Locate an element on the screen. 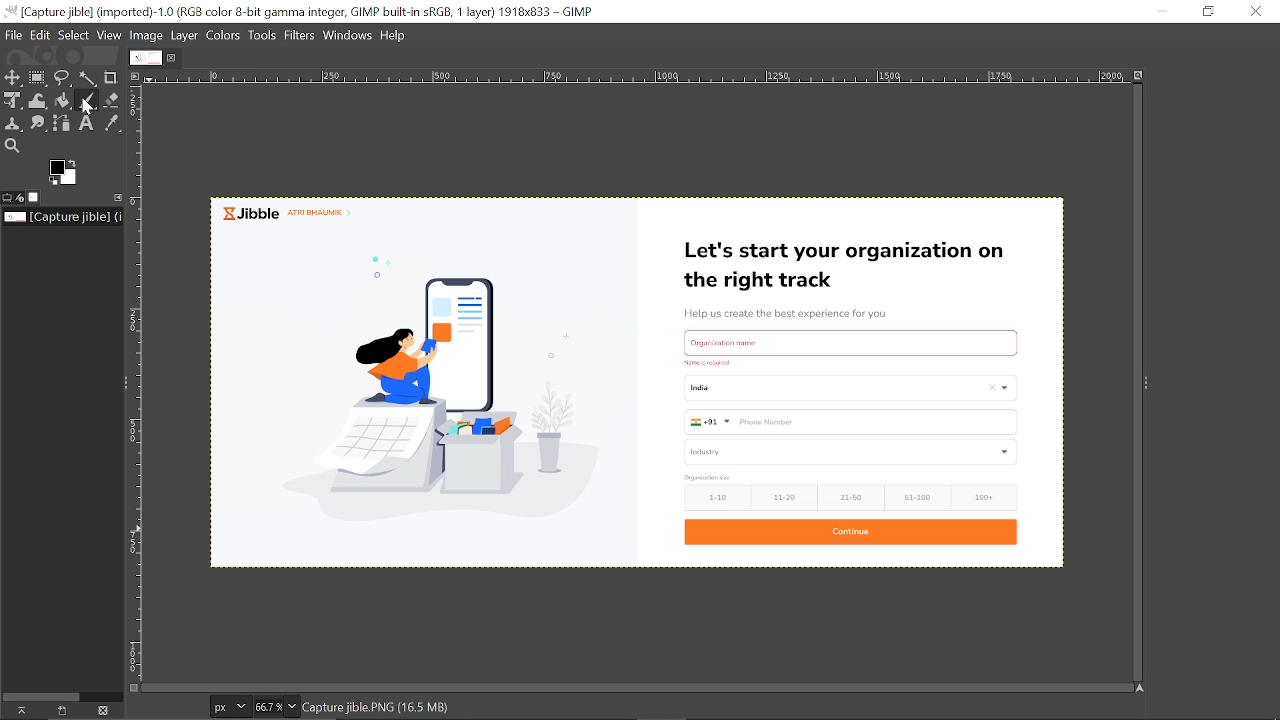 The width and height of the screenshot is (1280, 720). Close is located at coordinates (1254, 12).